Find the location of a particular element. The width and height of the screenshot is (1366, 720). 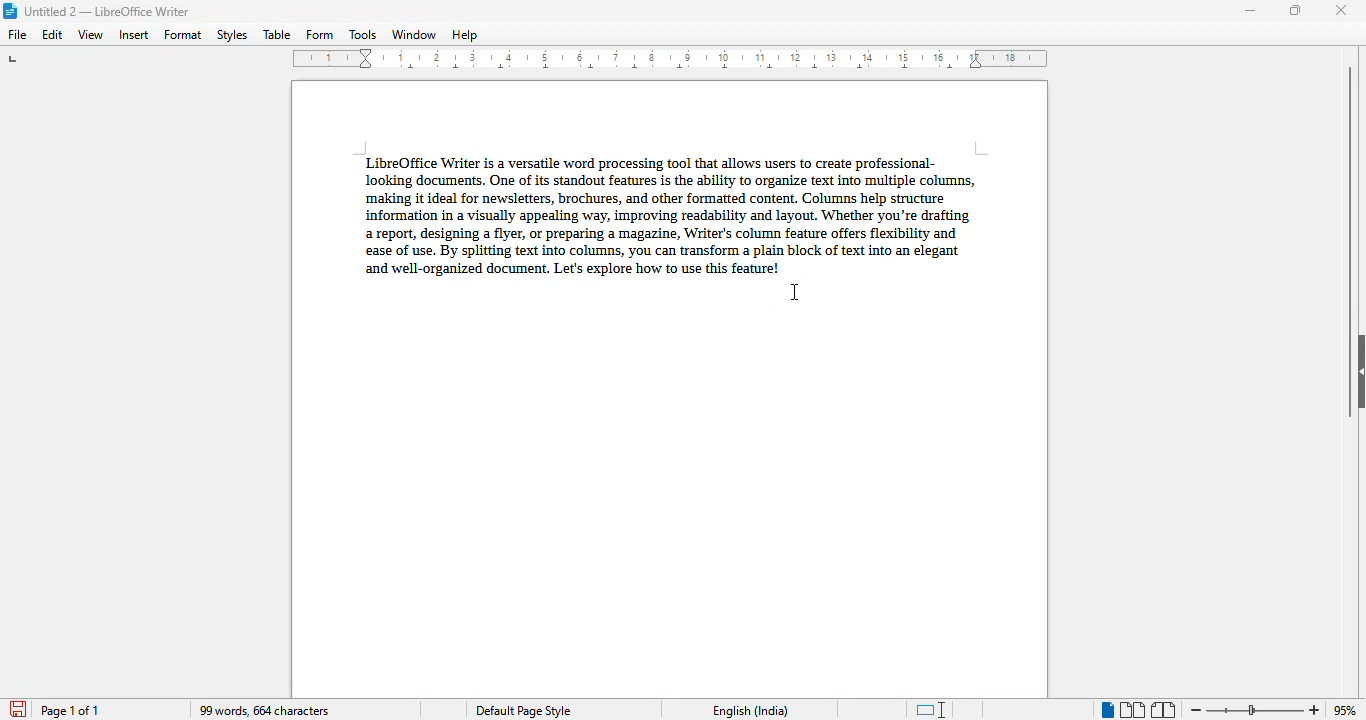

vertical scroll bar is located at coordinates (1351, 242).